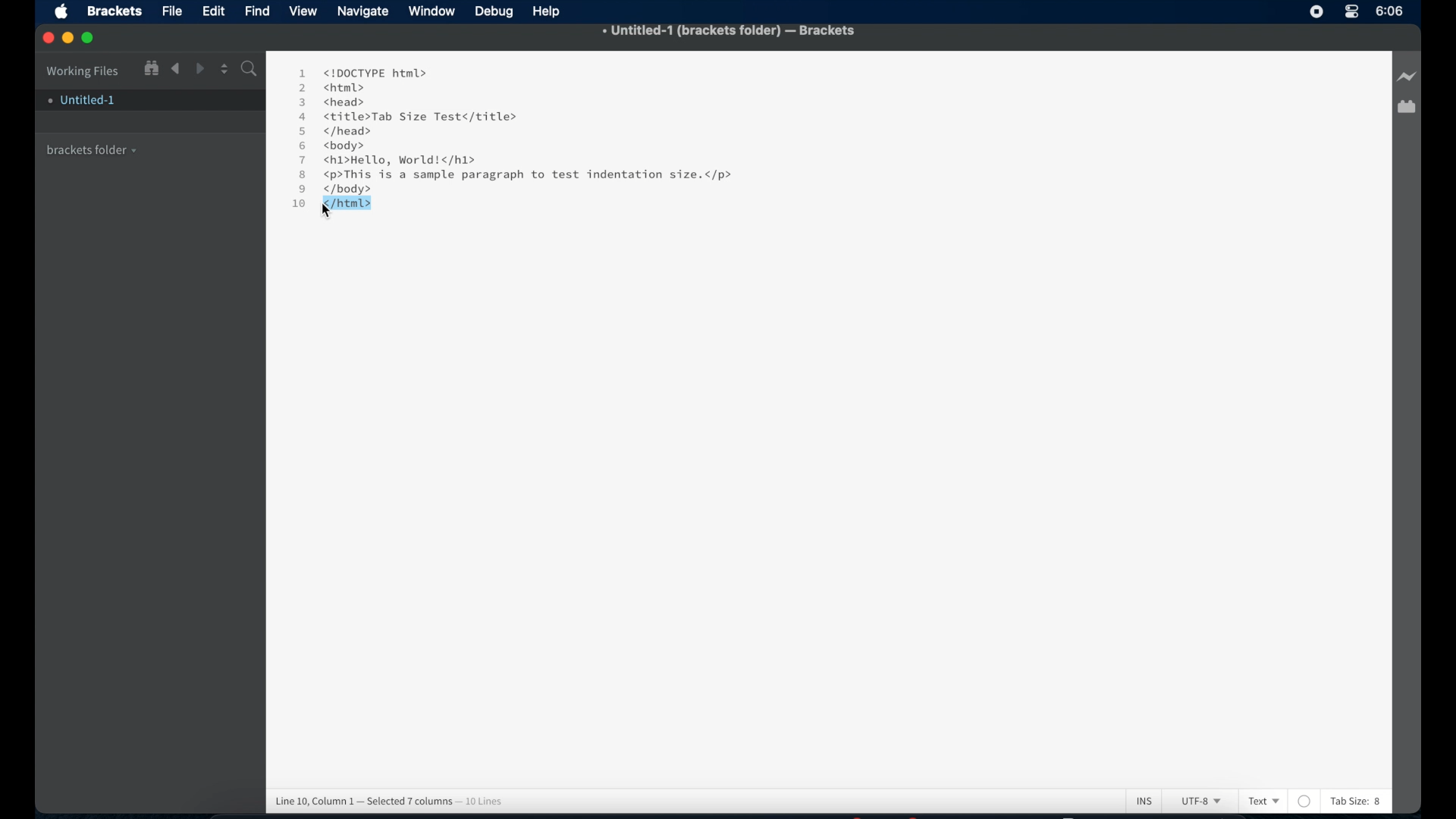  Describe the element at coordinates (434, 11) in the screenshot. I see `Window` at that location.